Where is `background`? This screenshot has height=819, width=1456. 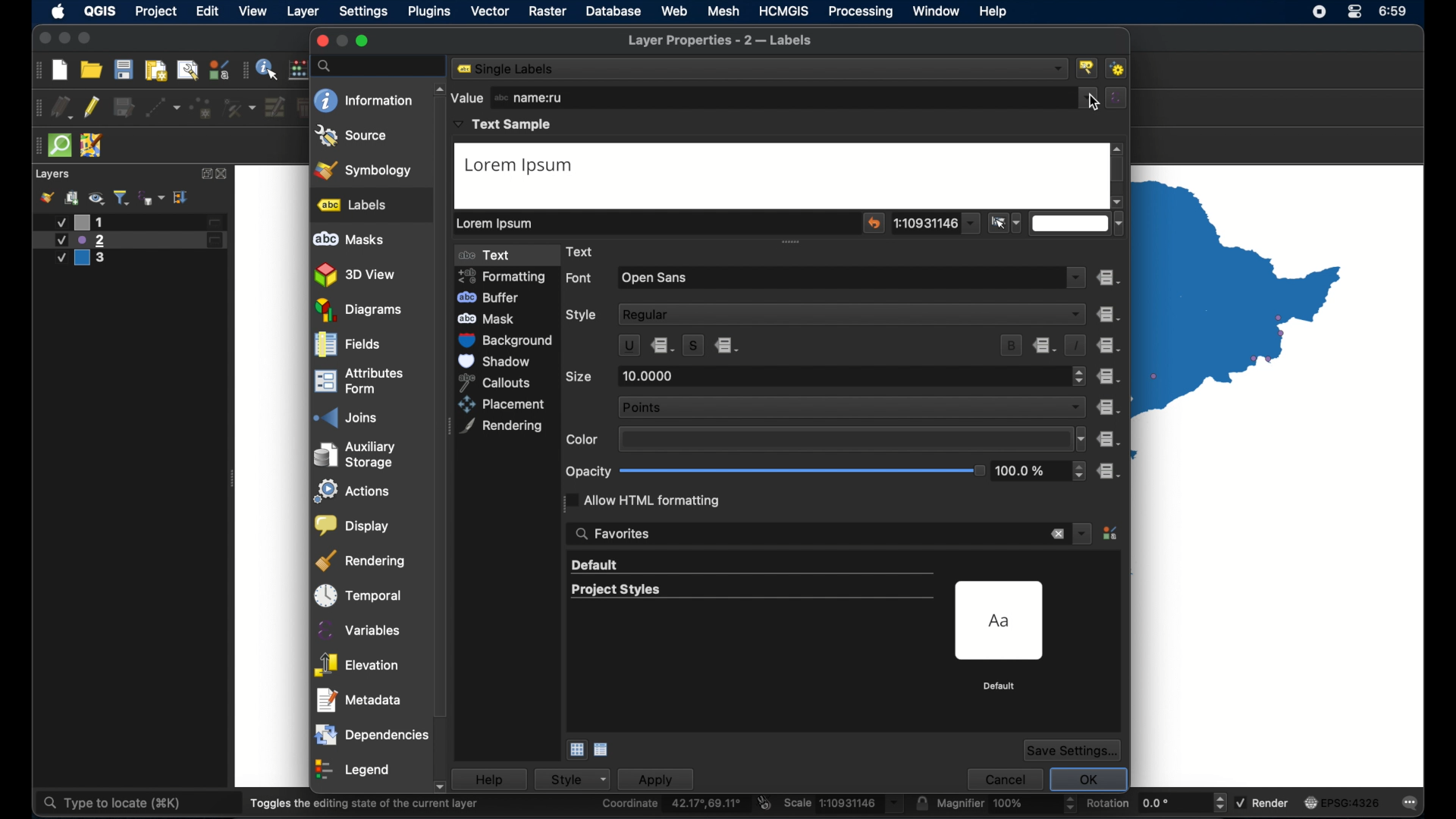 background is located at coordinates (509, 340).